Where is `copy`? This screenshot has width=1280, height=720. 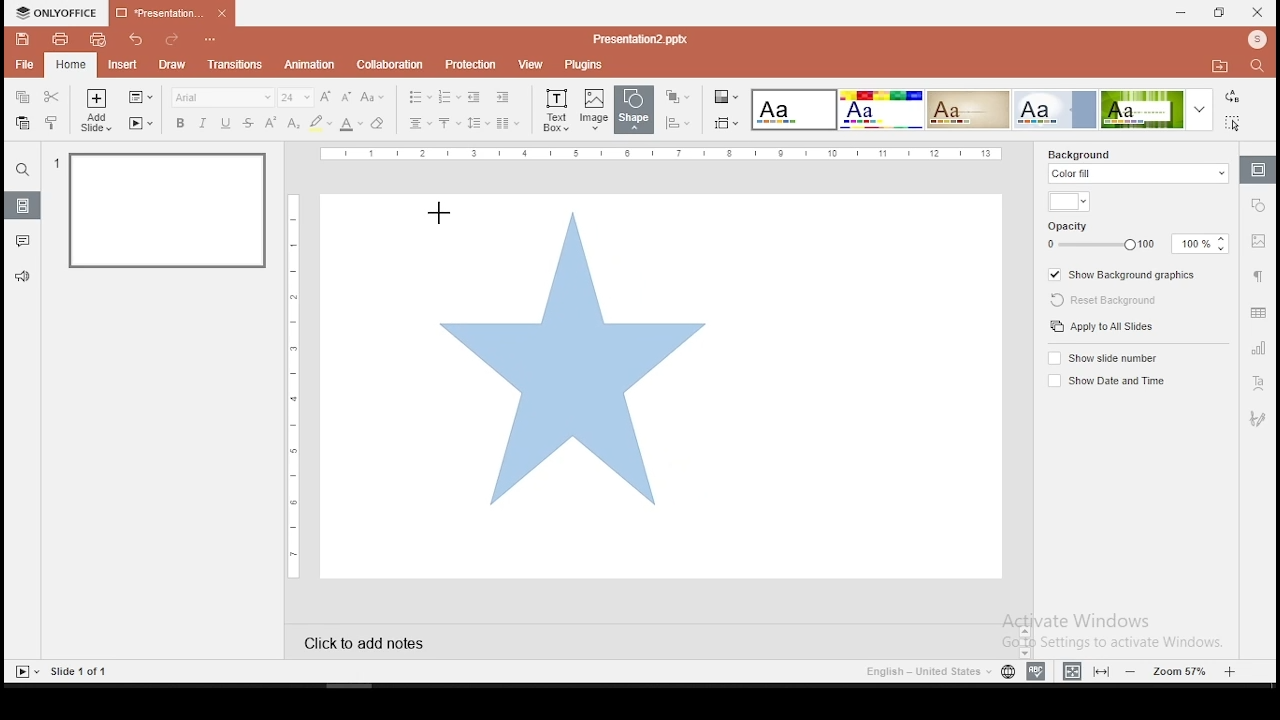
copy is located at coordinates (21, 98).